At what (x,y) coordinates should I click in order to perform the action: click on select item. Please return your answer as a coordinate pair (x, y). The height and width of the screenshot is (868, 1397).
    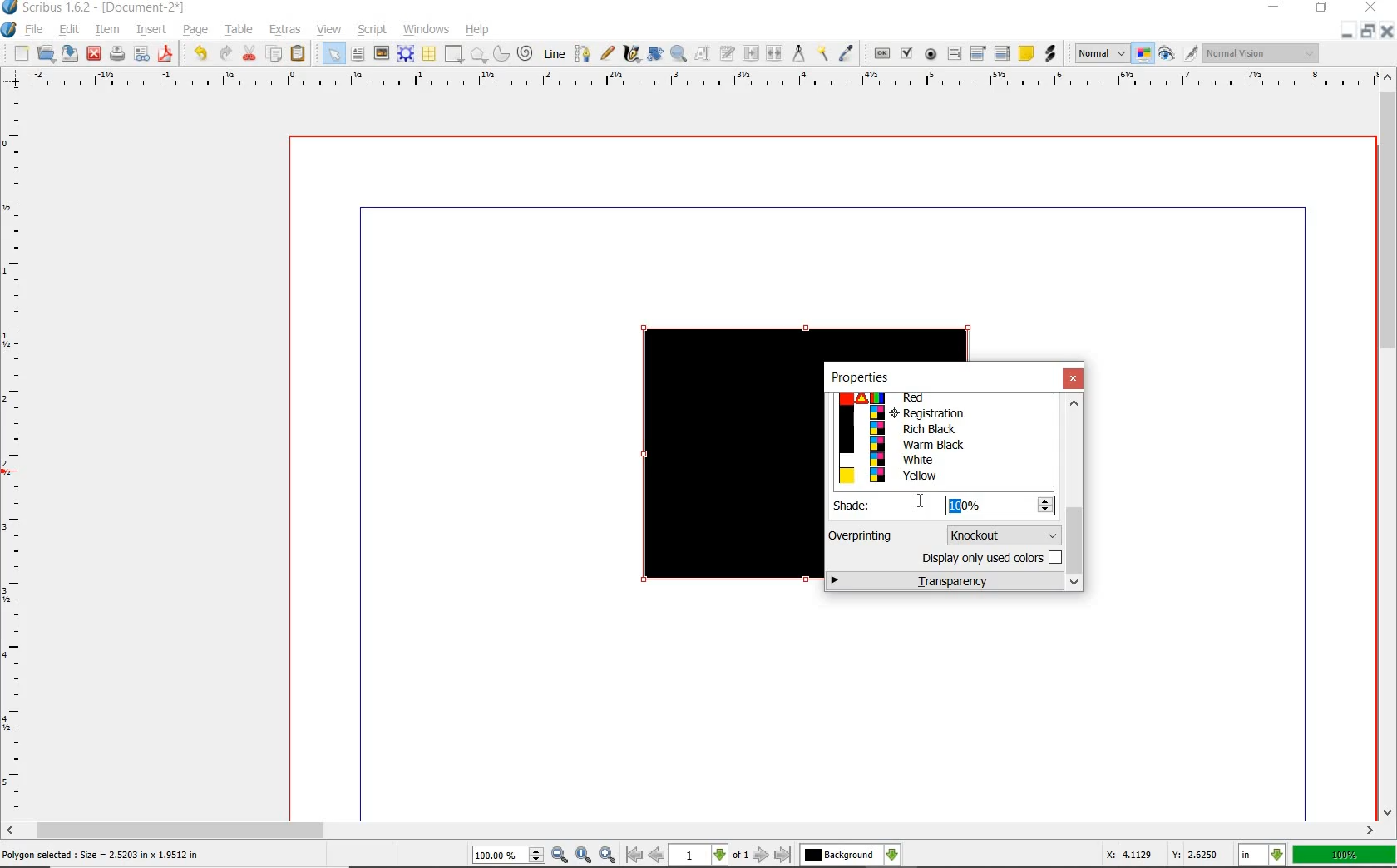
    Looking at the image, I should click on (329, 54).